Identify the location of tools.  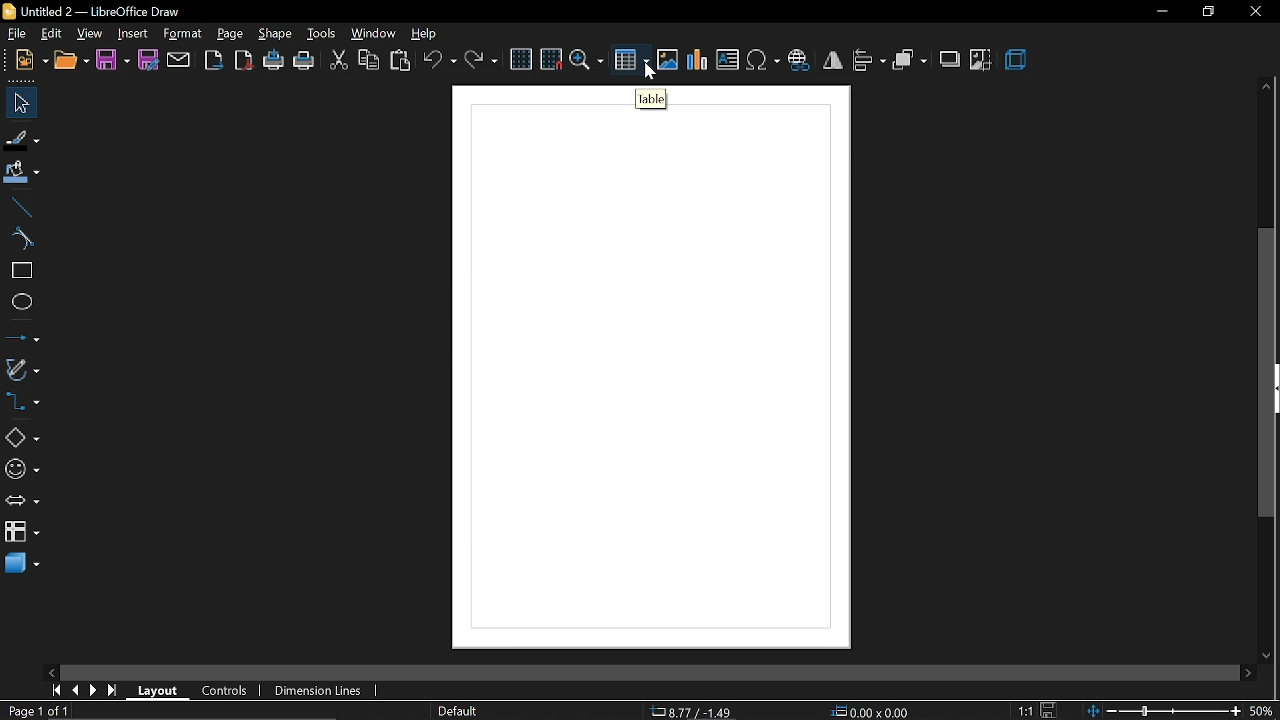
(323, 34).